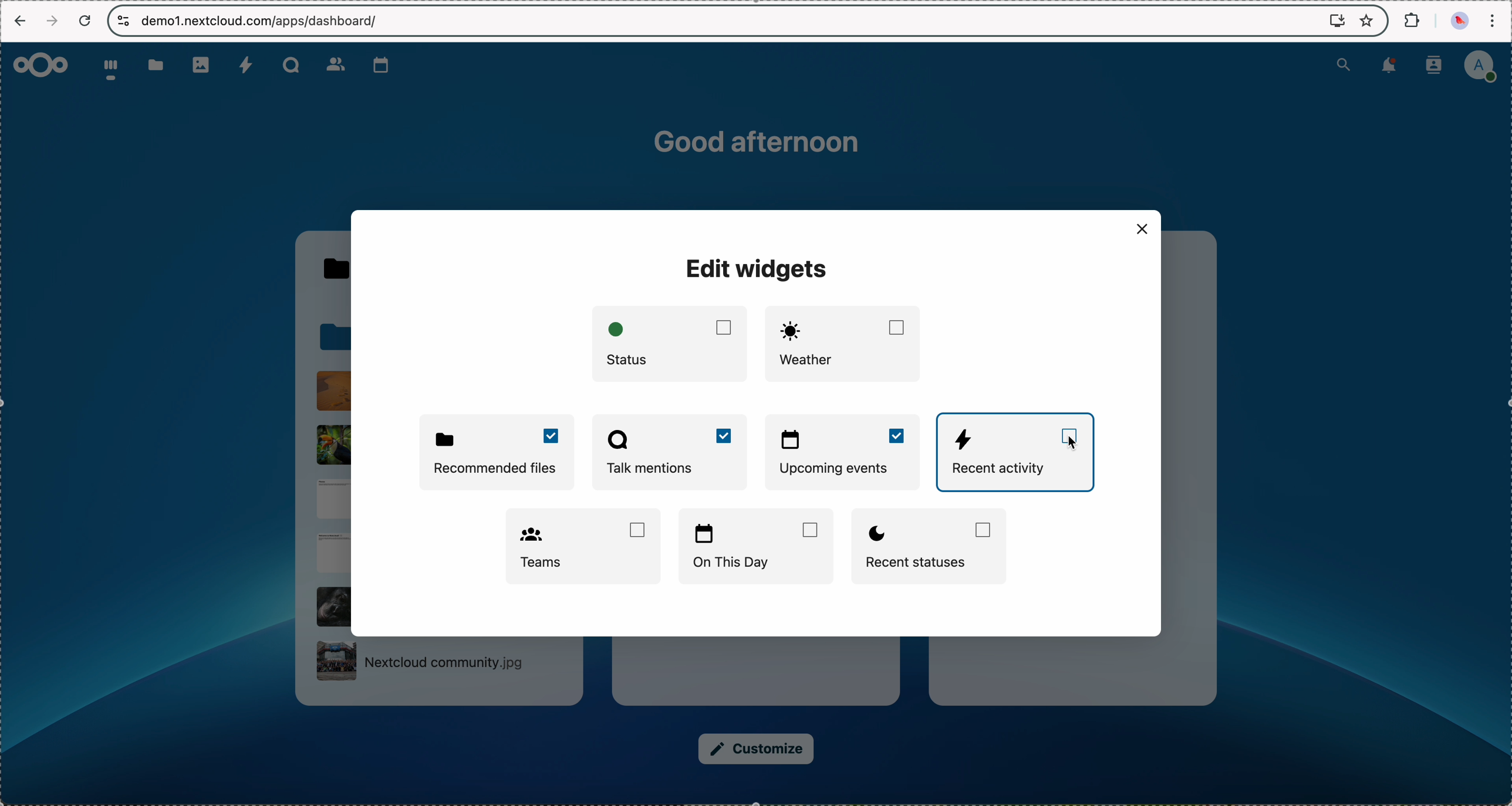 The height and width of the screenshot is (806, 1512). Describe the element at coordinates (289, 64) in the screenshot. I see `Talk` at that location.